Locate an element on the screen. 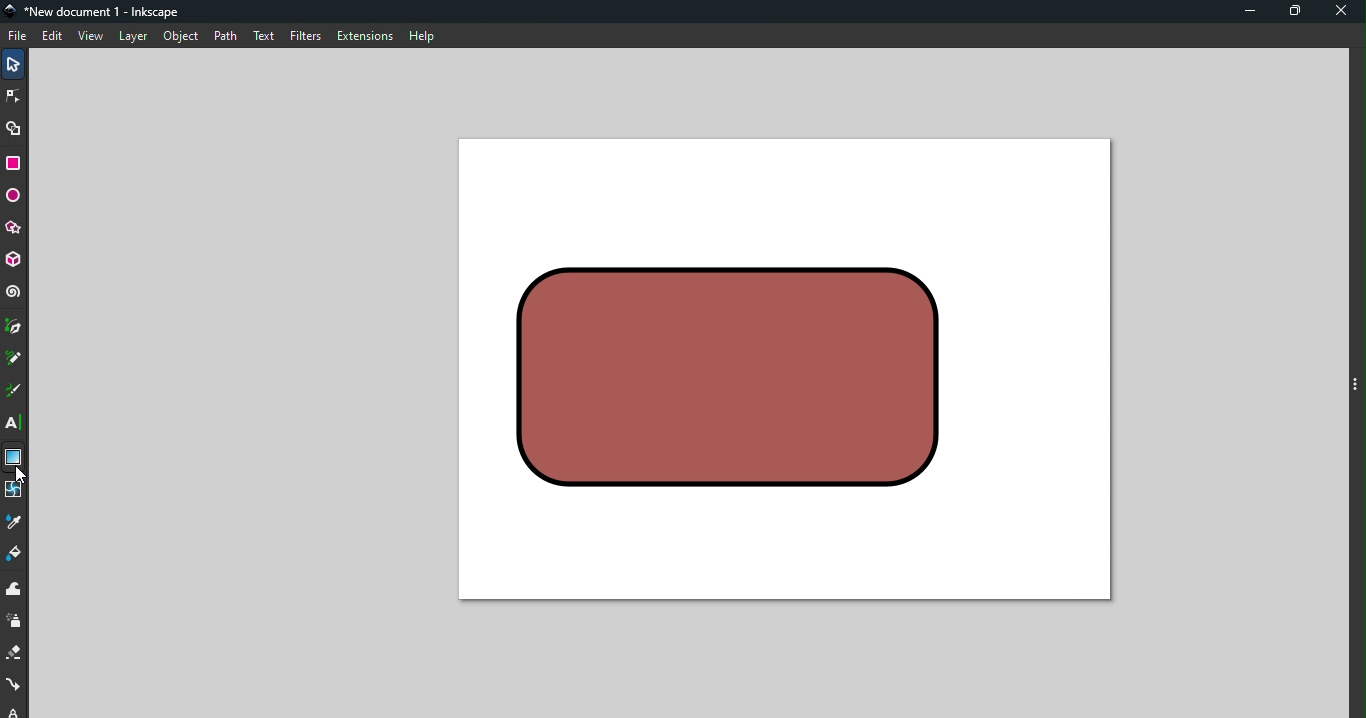 The image size is (1366, 718). Canvas is located at coordinates (783, 369).